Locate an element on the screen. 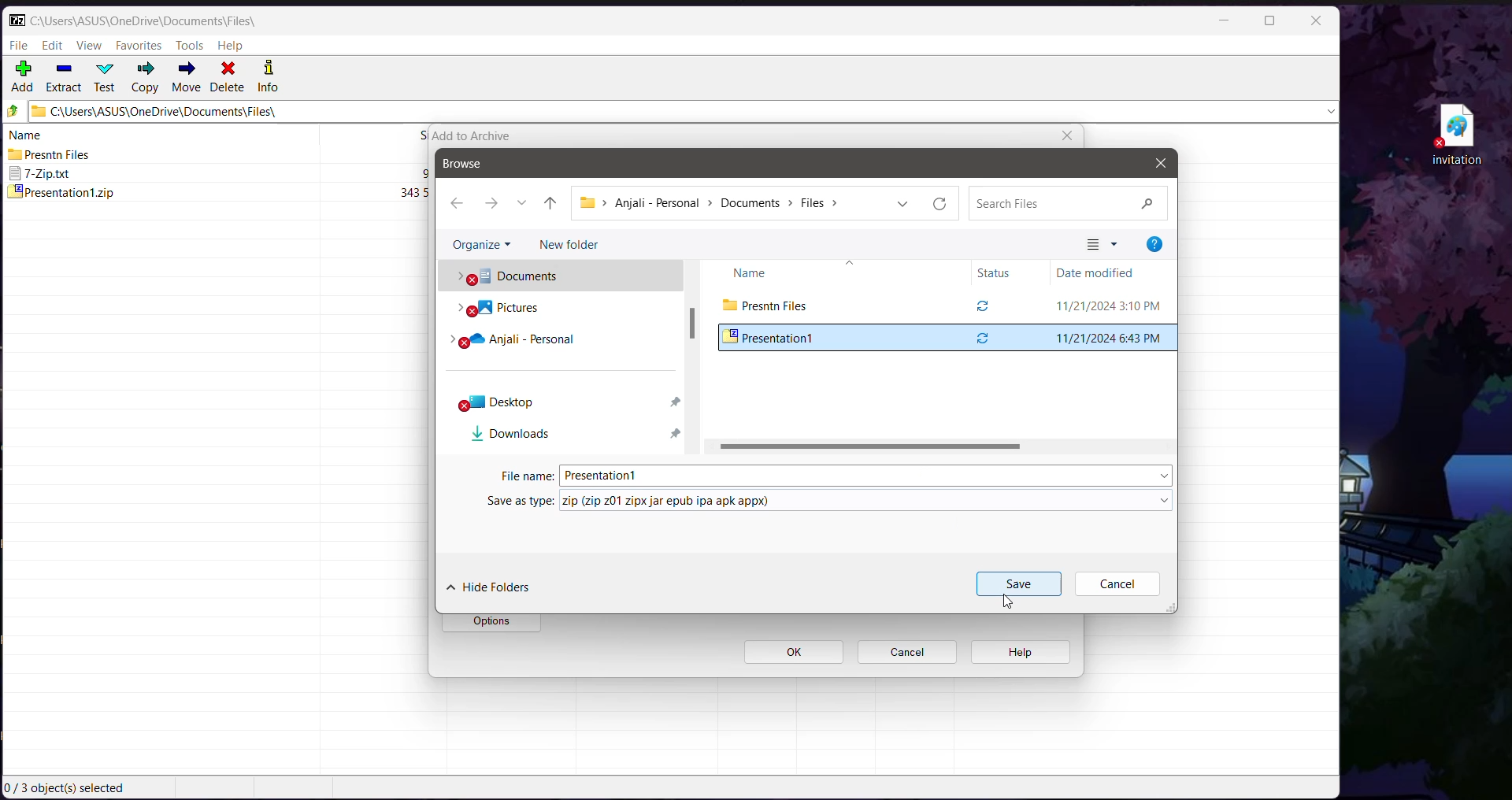  Save is located at coordinates (1020, 584).